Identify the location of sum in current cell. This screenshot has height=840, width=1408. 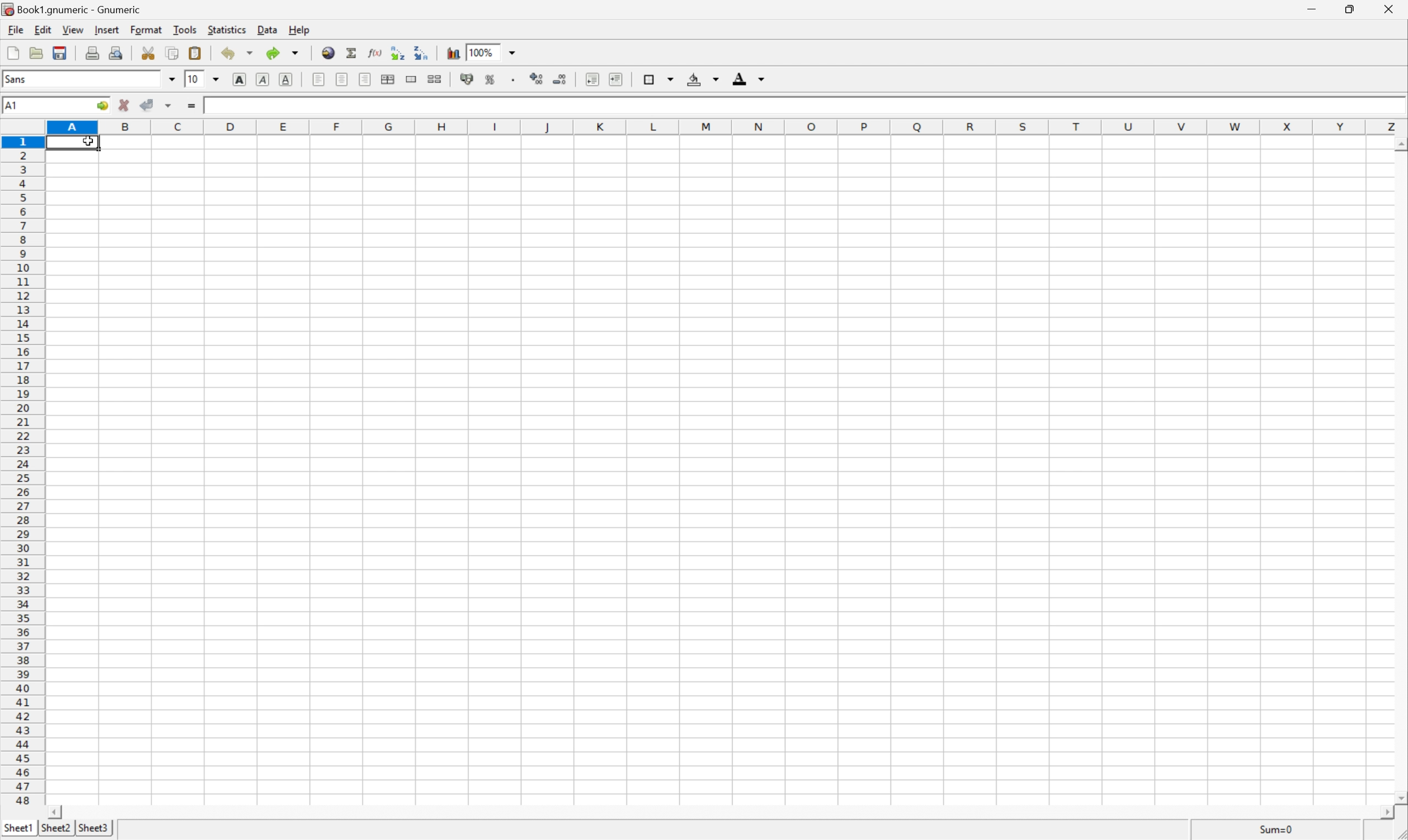
(351, 52).